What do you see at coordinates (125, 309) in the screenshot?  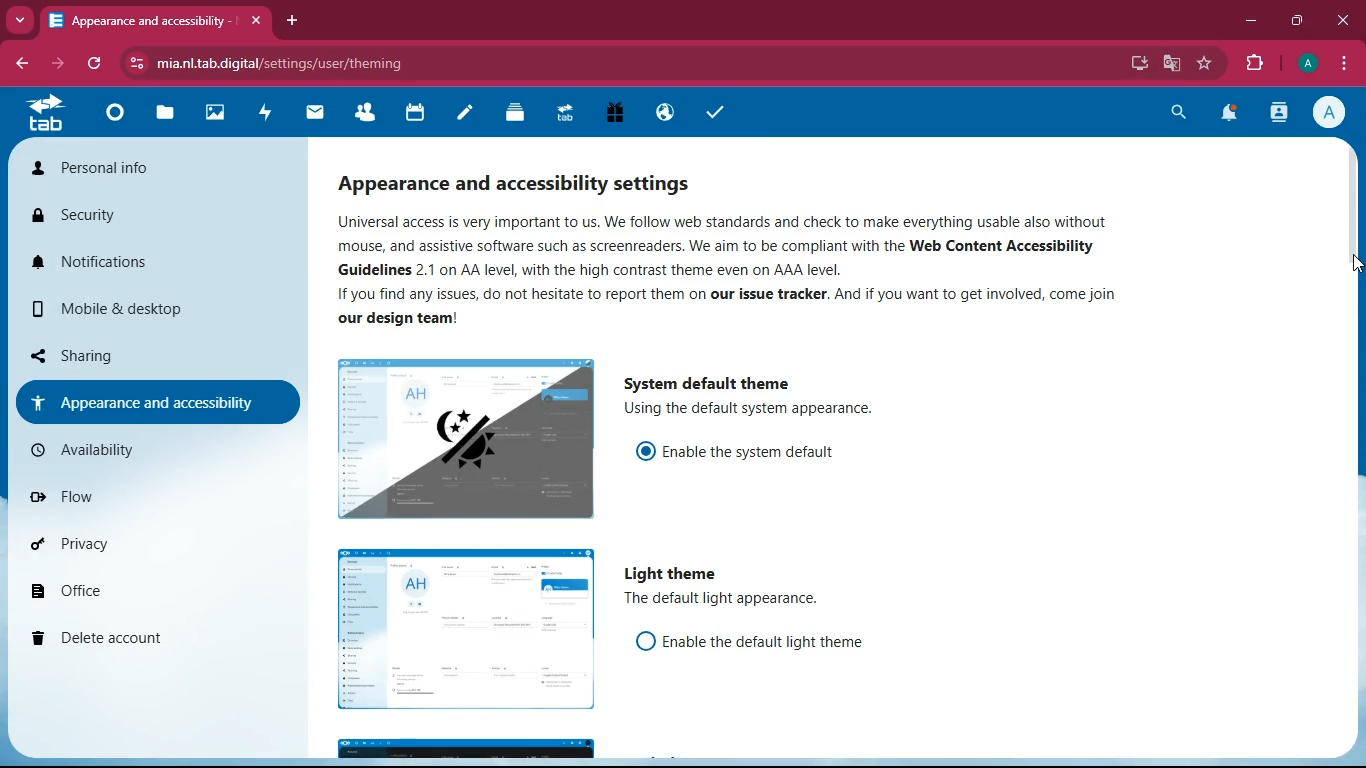 I see `mobile` at bounding box center [125, 309].